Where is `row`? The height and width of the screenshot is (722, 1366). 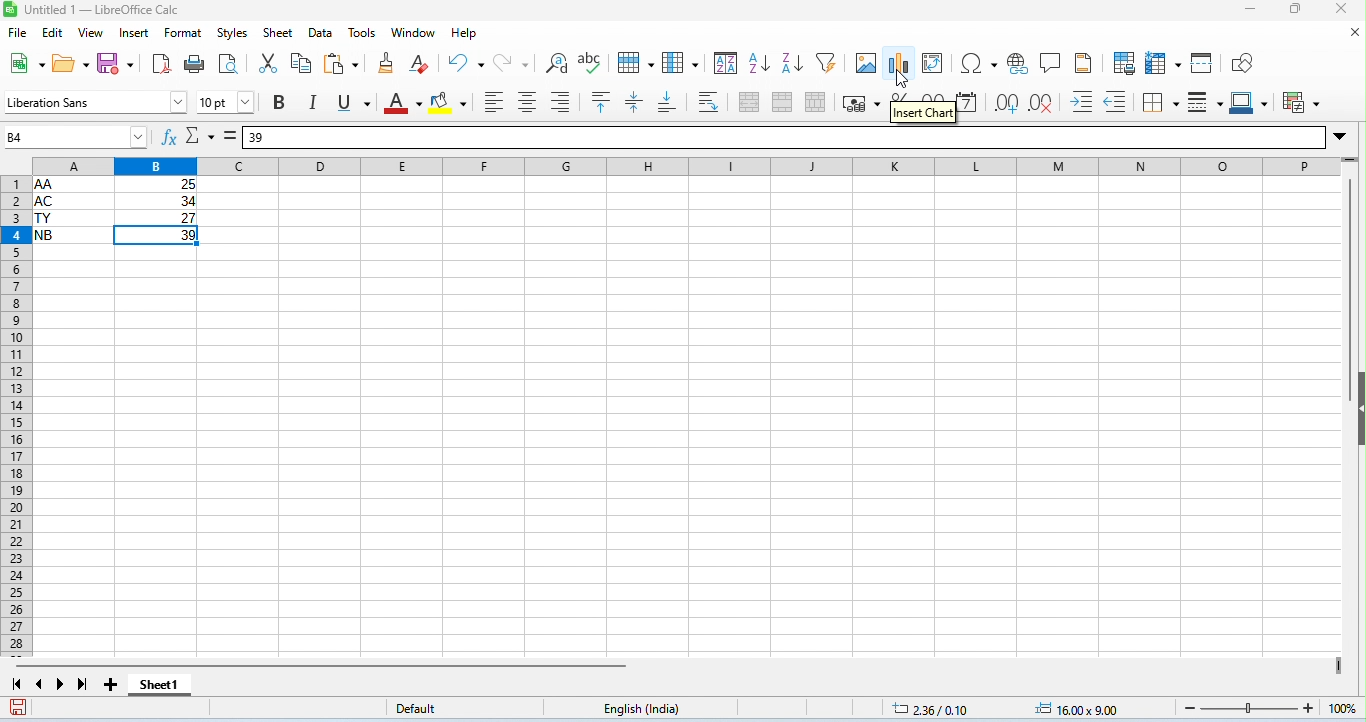 row is located at coordinates (636, 63).